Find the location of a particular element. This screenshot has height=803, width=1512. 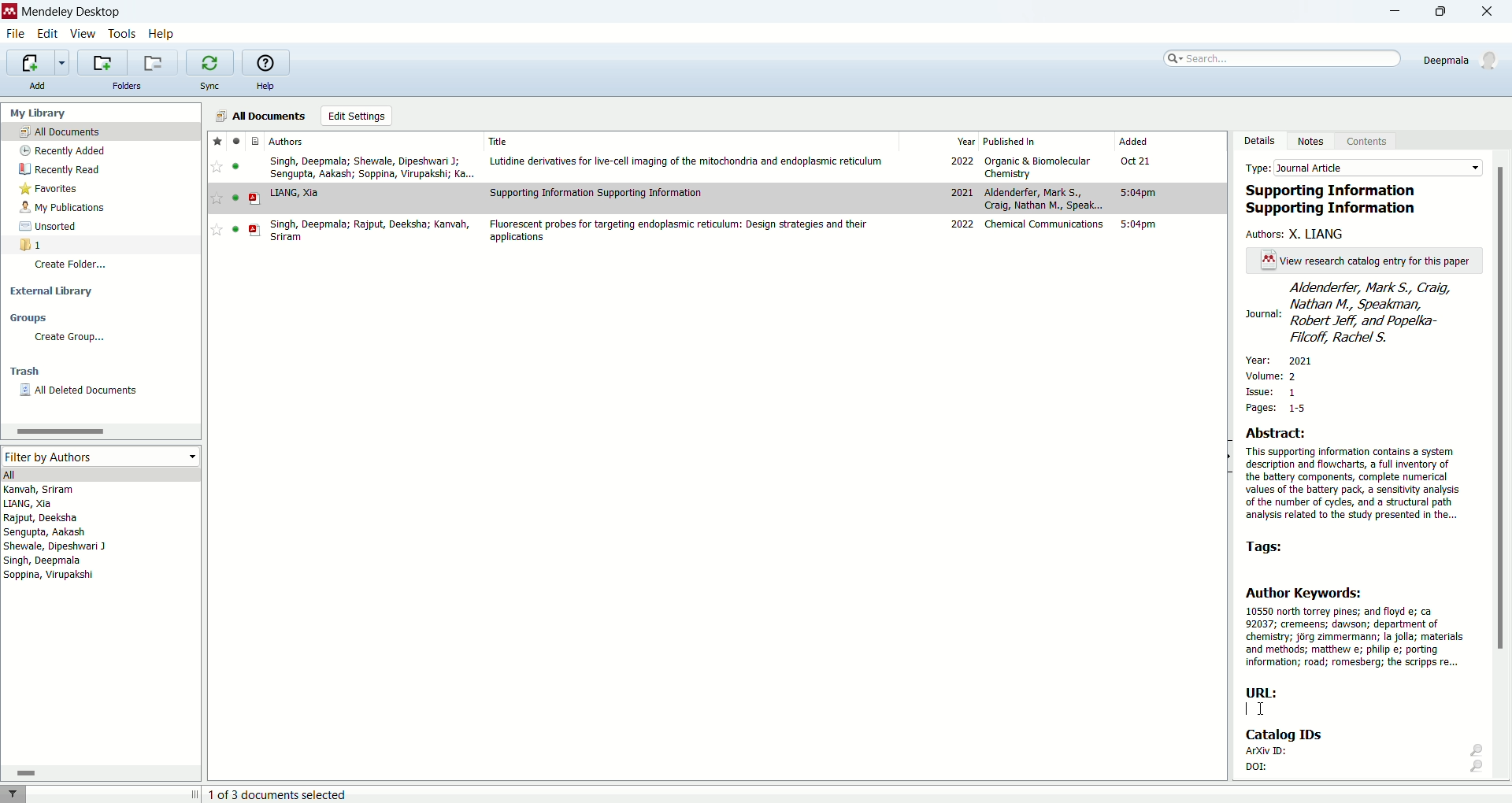

rajput, deeksha is located at coordinates (42, 518).